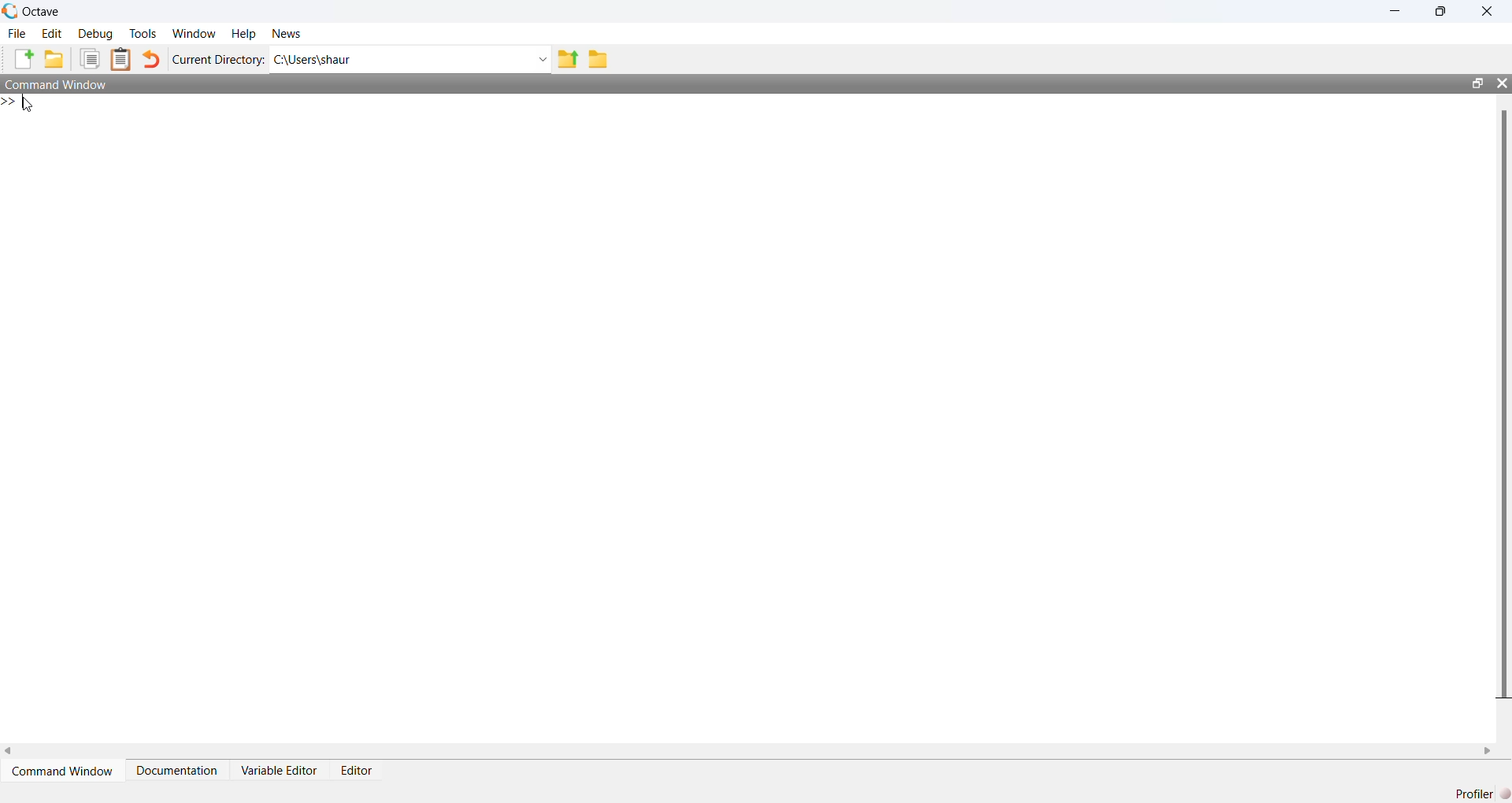 This screenshot has height=803, width=1512. I want to click on Editor, so click(358, 771).